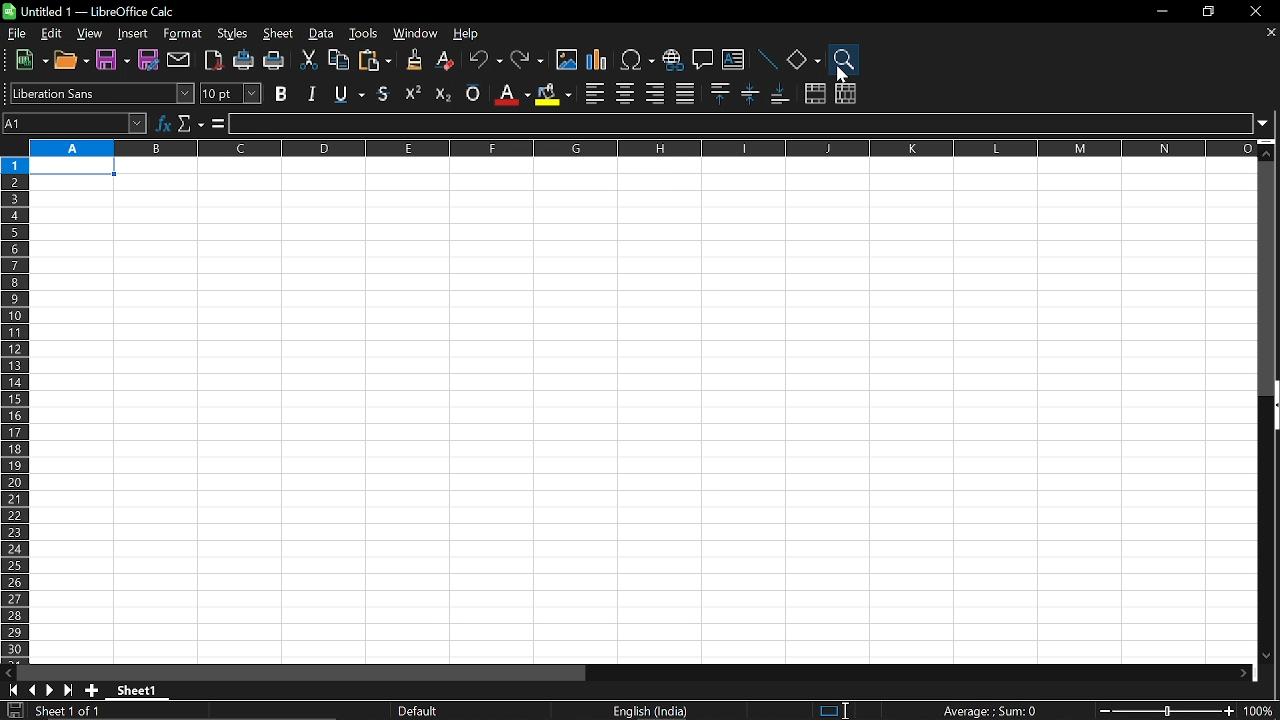 The image size is (1280, 720). What do you see at coordinates (639, 147) in the screenshot?
I see `columns` at bounding box center [639, 147].